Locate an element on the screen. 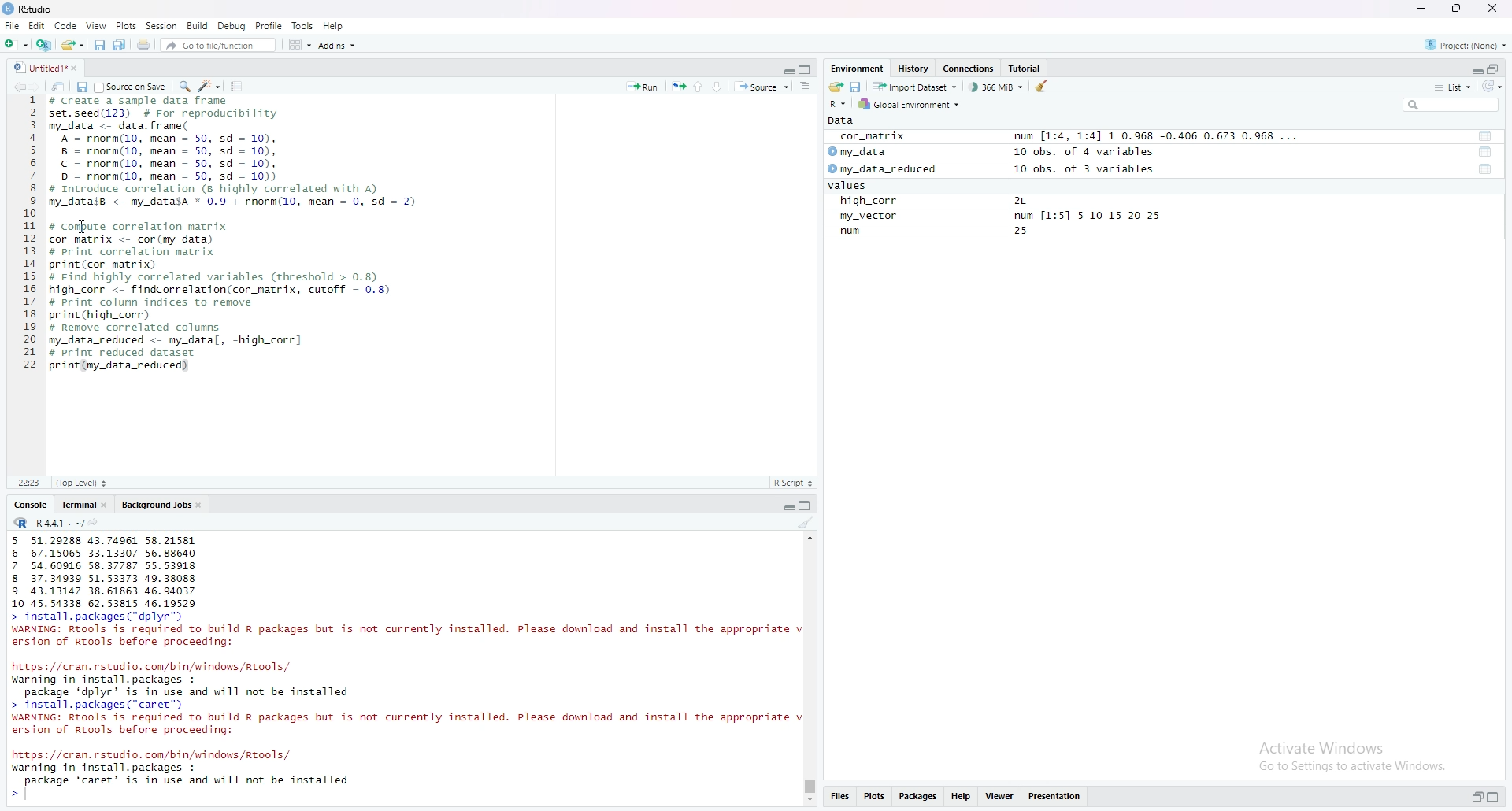  History is located at coordinates (914, 67).